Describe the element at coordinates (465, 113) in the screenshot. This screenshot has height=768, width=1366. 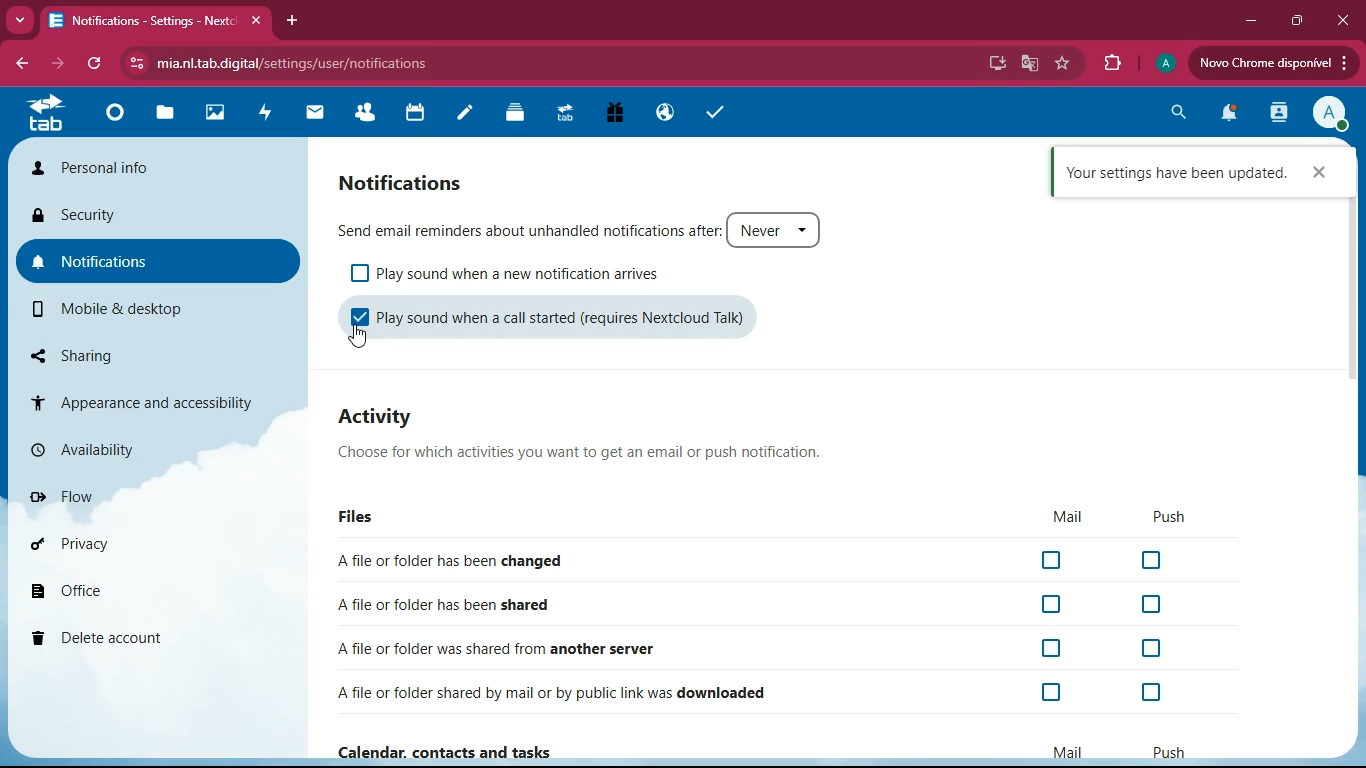
I see `notes` at that location.